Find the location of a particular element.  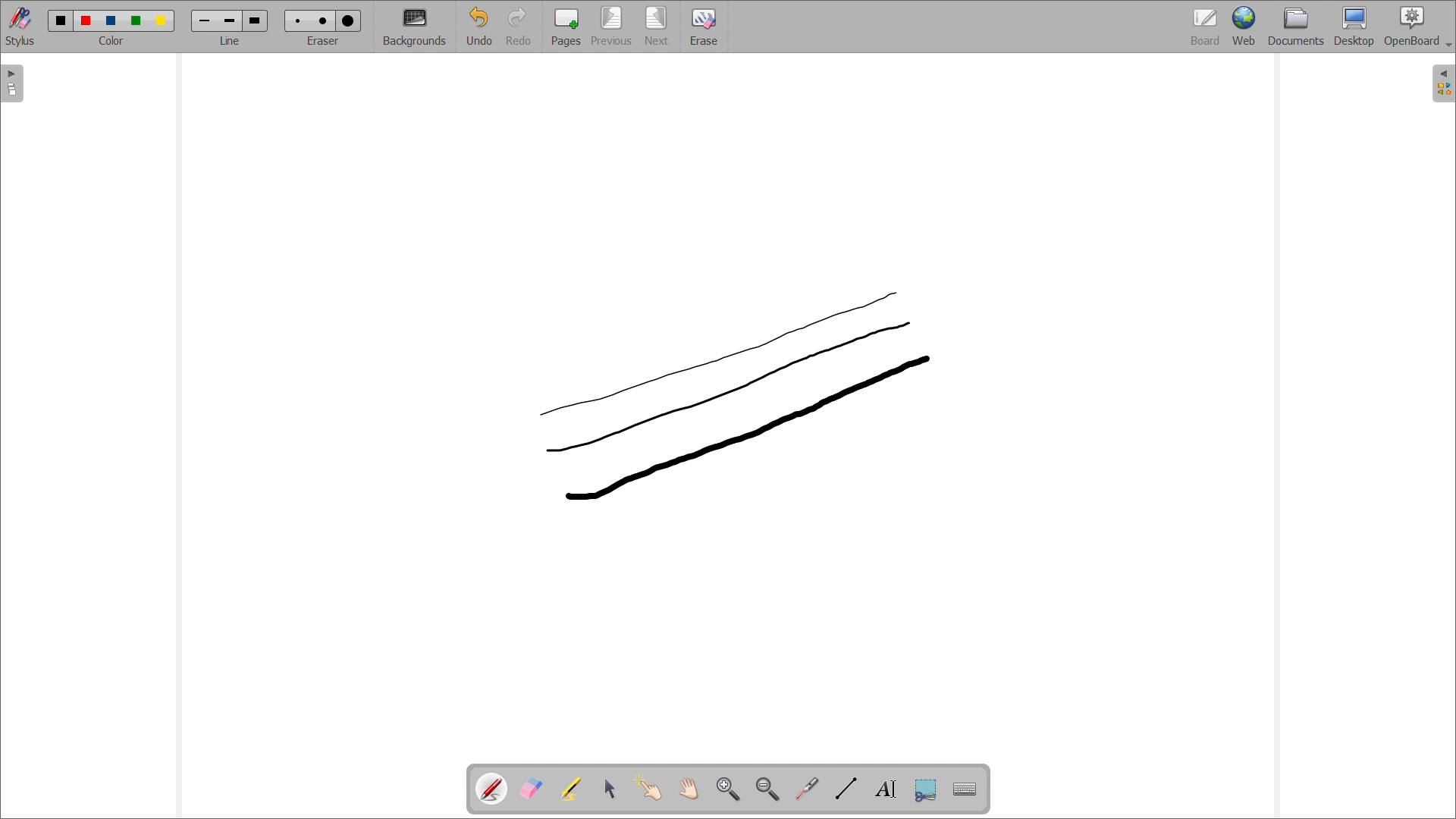

Eraser size is located at coordinates (348, 21).